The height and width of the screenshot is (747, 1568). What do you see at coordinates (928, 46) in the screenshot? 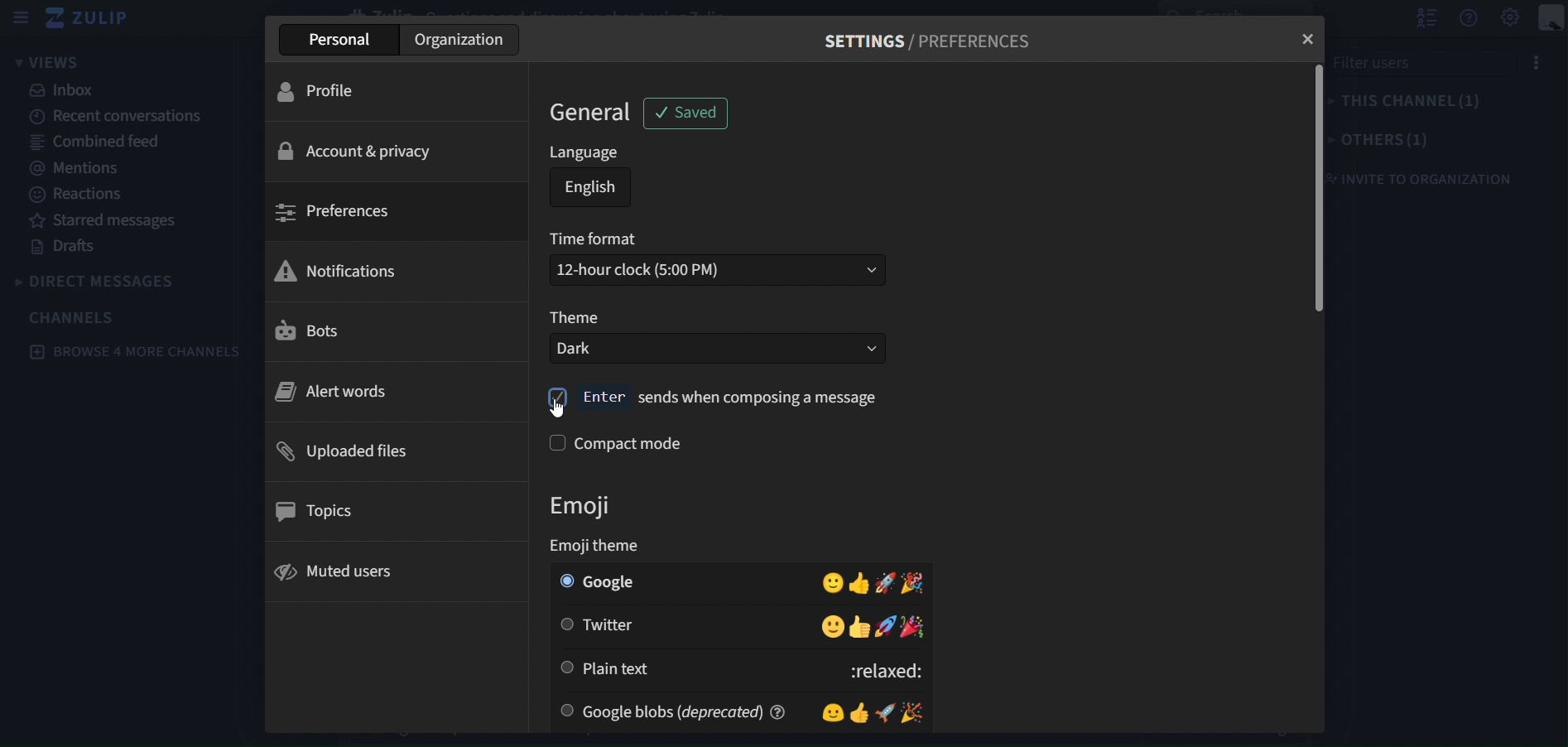
I see `SETTING/PREFERENCES` at bounding box center [928, 46].